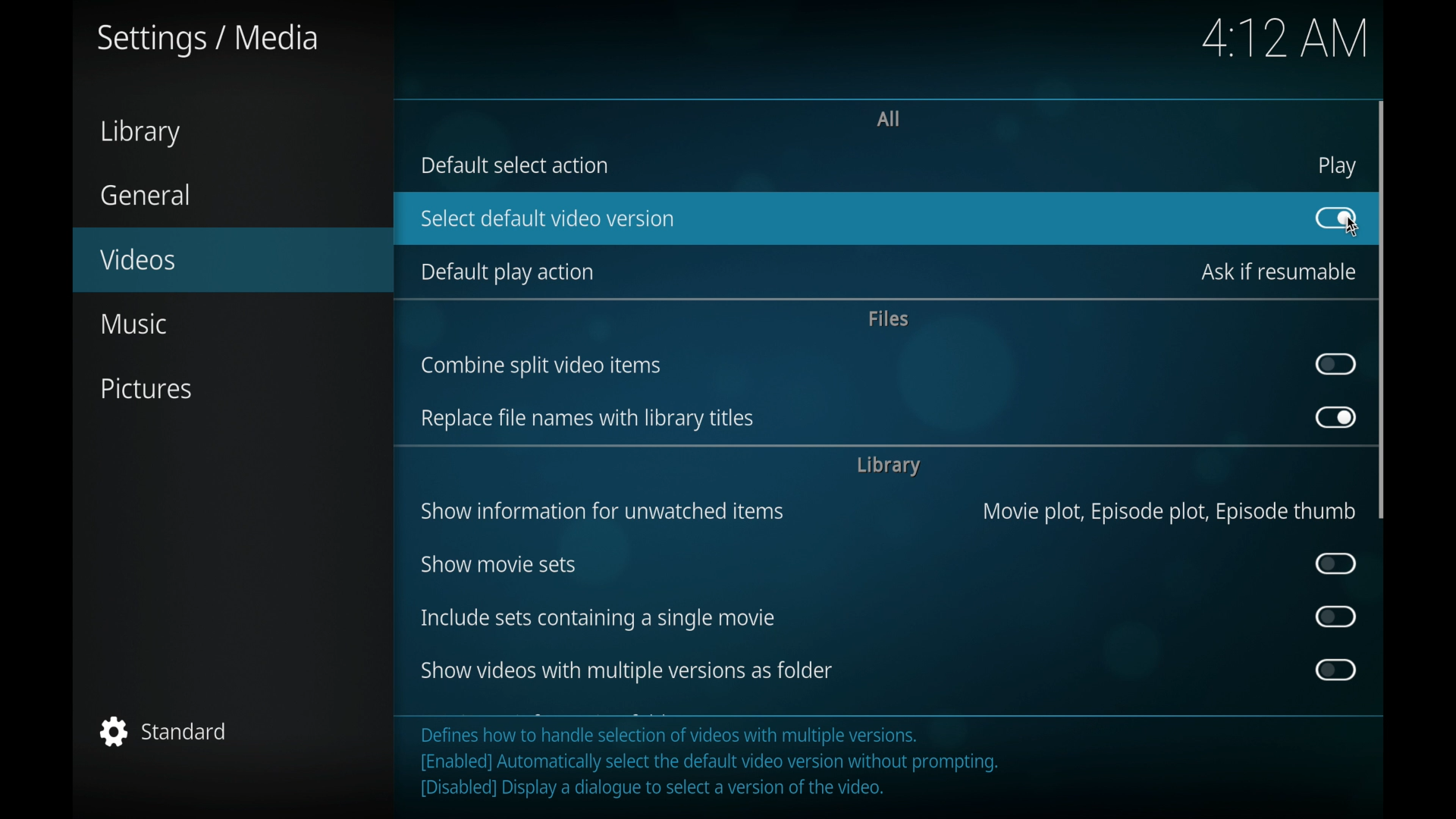  What do you see at coordinates (889, 466) in the screenshot?
I see `library` at bounding box center [889, 466].